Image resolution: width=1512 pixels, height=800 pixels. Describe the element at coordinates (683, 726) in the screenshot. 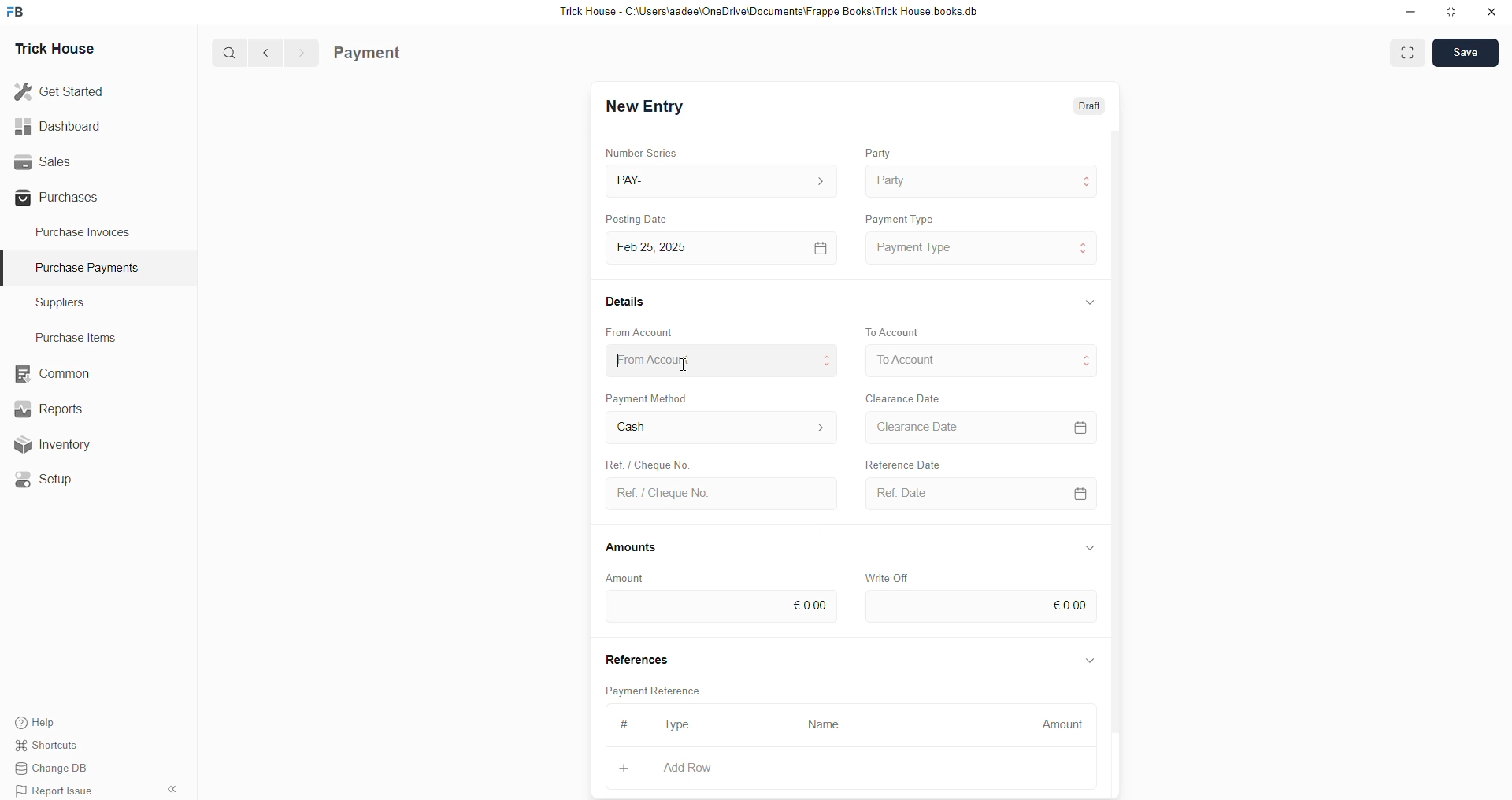

I see `Type` at that location.